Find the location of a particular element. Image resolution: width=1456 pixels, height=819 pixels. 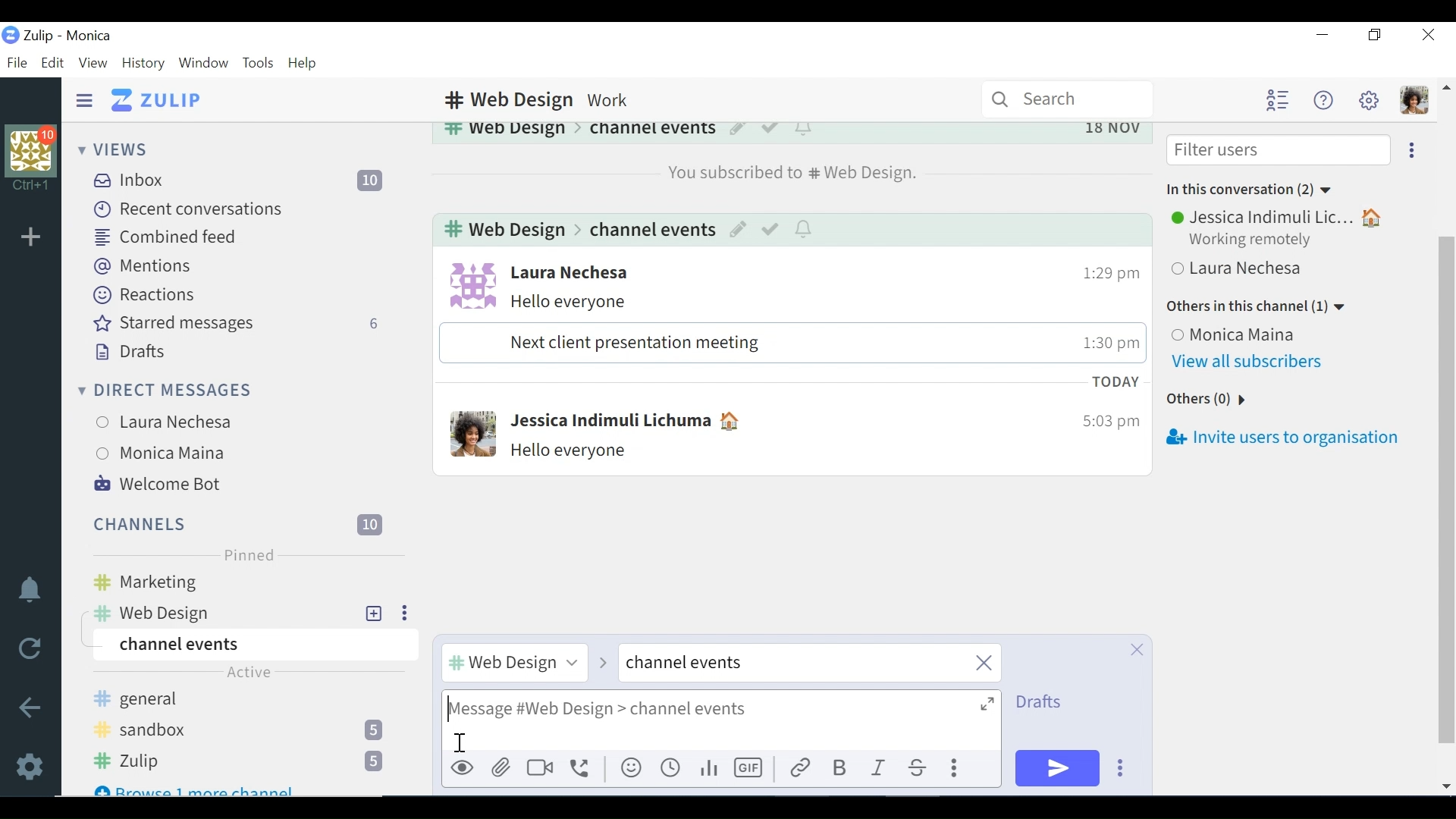

Add global time is located at coordinates (671, 769).